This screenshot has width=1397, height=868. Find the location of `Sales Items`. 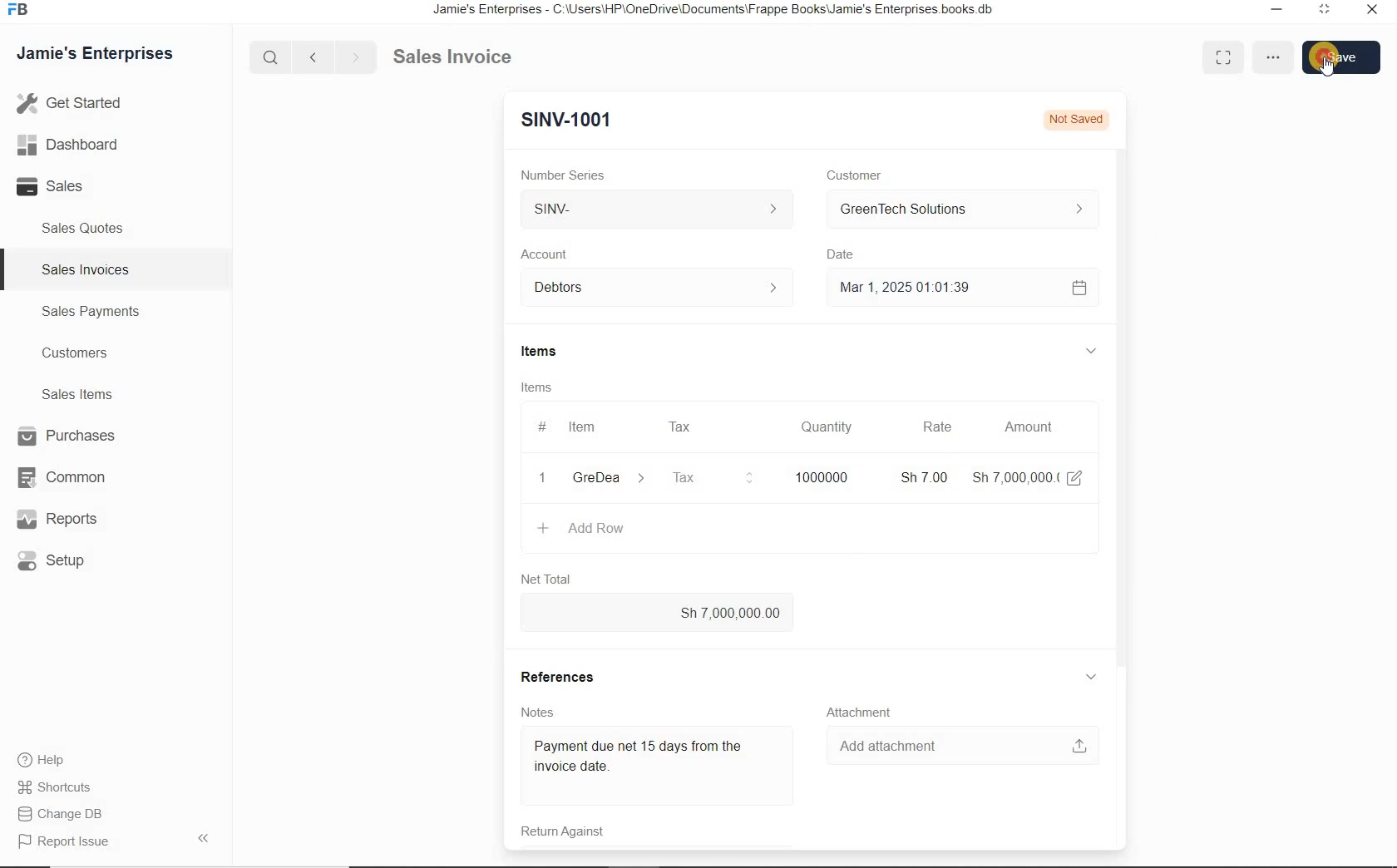

Sales Items is located at coordinates (73, 394).